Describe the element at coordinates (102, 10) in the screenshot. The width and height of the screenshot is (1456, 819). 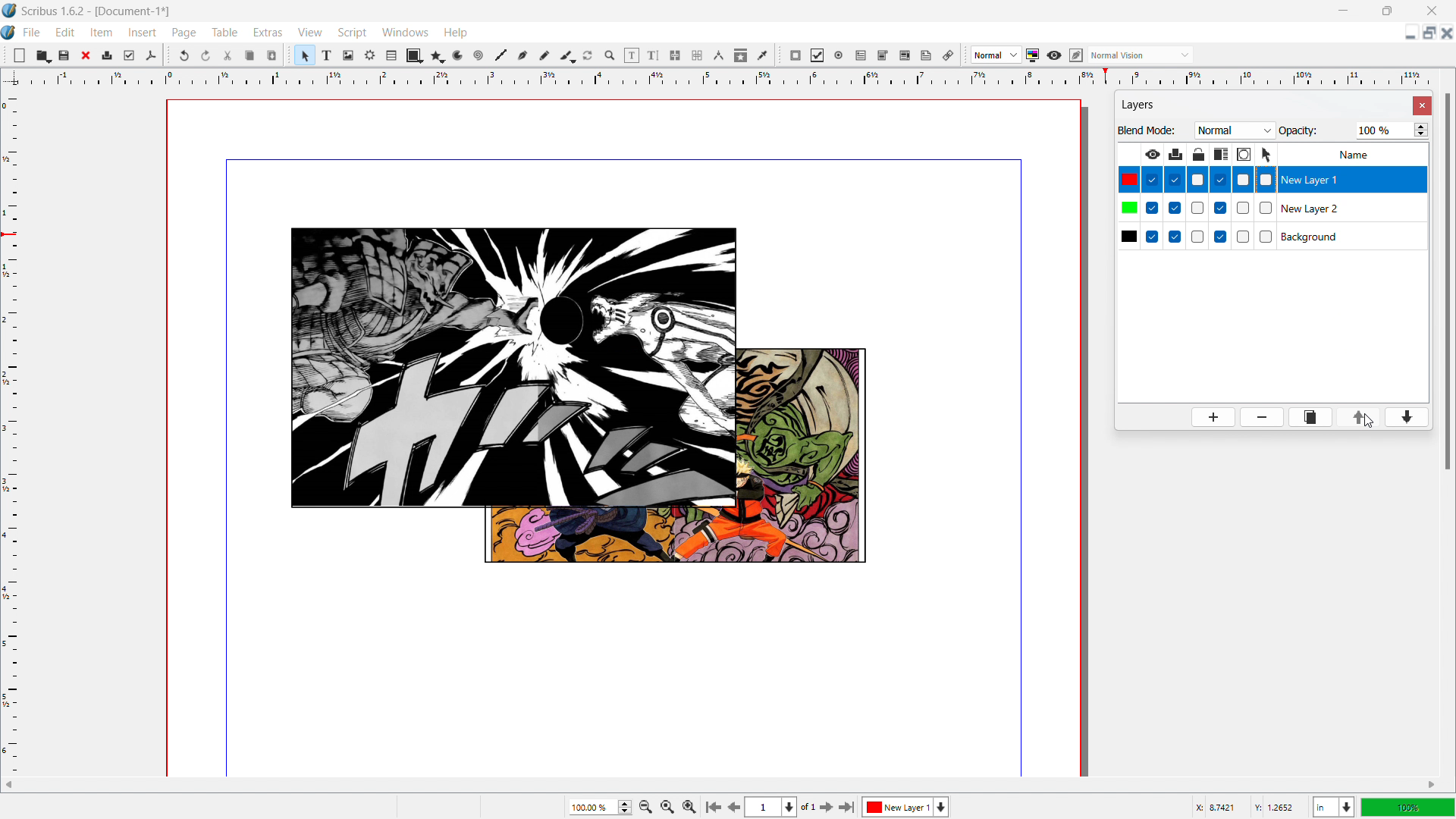
I see `Scribus 1.6.2-[Document-1]` at that location.